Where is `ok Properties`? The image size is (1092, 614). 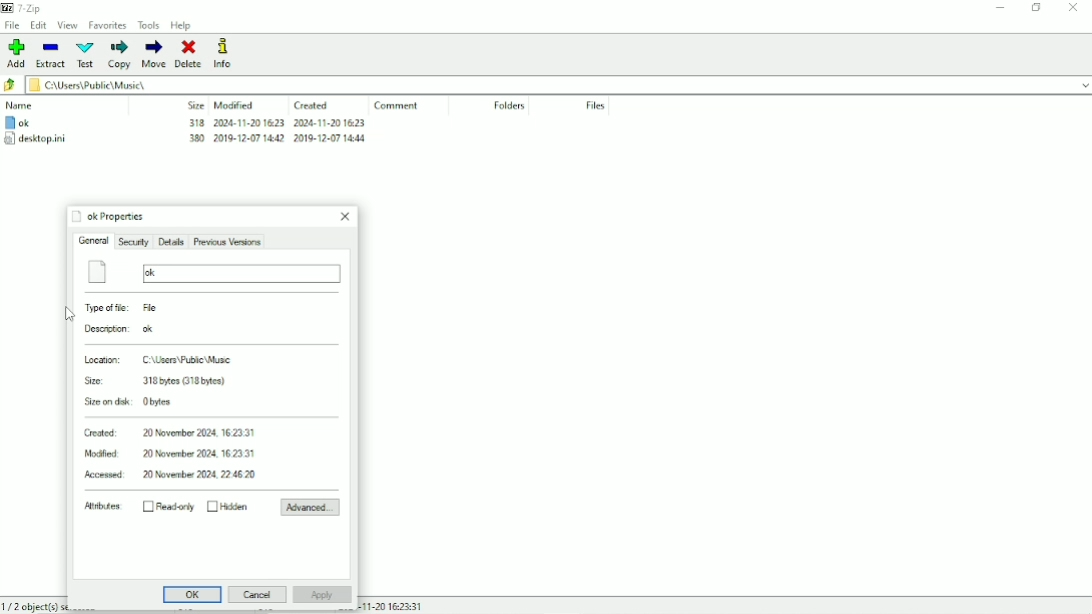
ok Properties is located at coordinates (108, 217).